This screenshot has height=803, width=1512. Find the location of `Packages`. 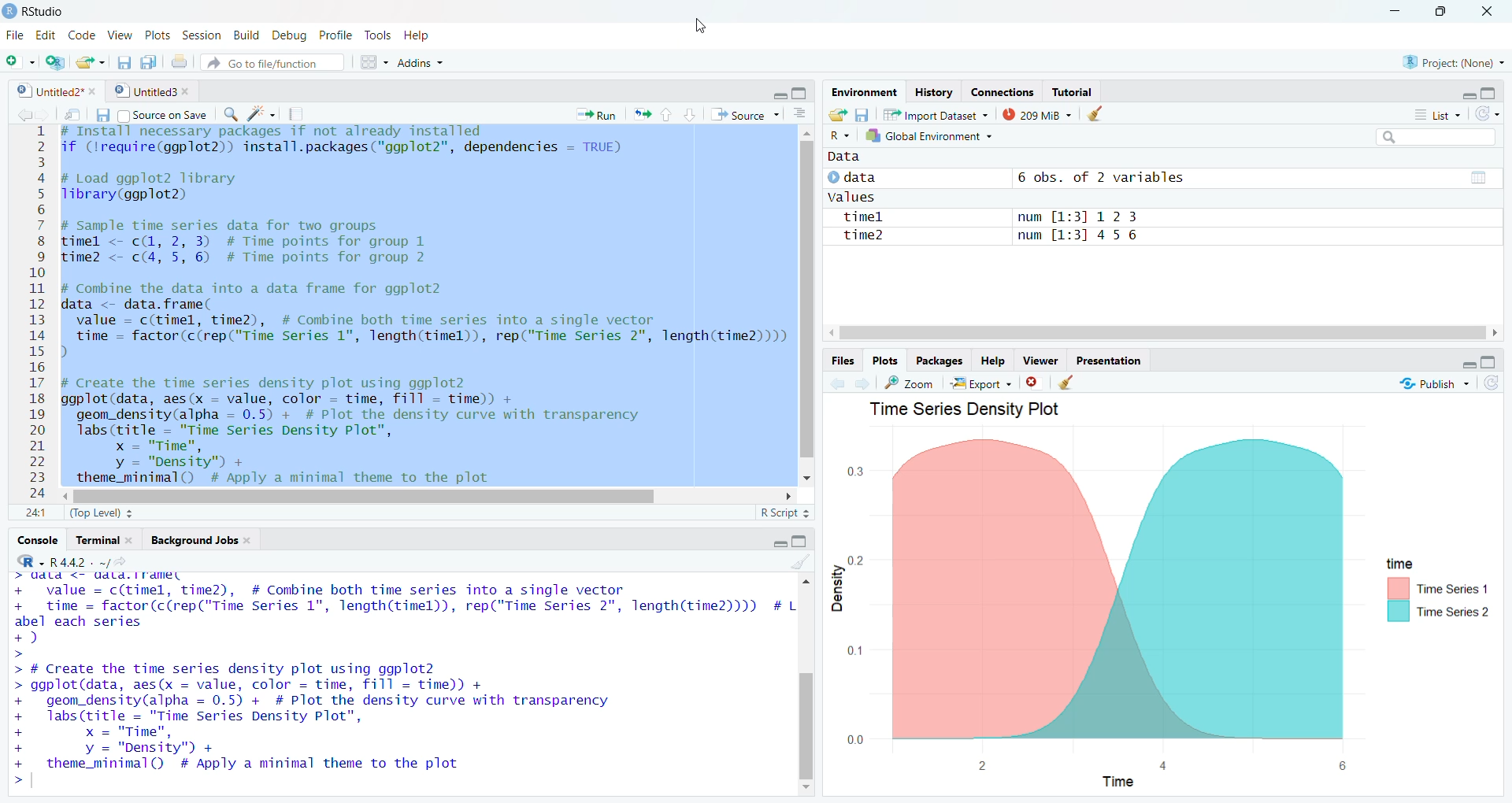

Packages is located at coordinates (939, 362).